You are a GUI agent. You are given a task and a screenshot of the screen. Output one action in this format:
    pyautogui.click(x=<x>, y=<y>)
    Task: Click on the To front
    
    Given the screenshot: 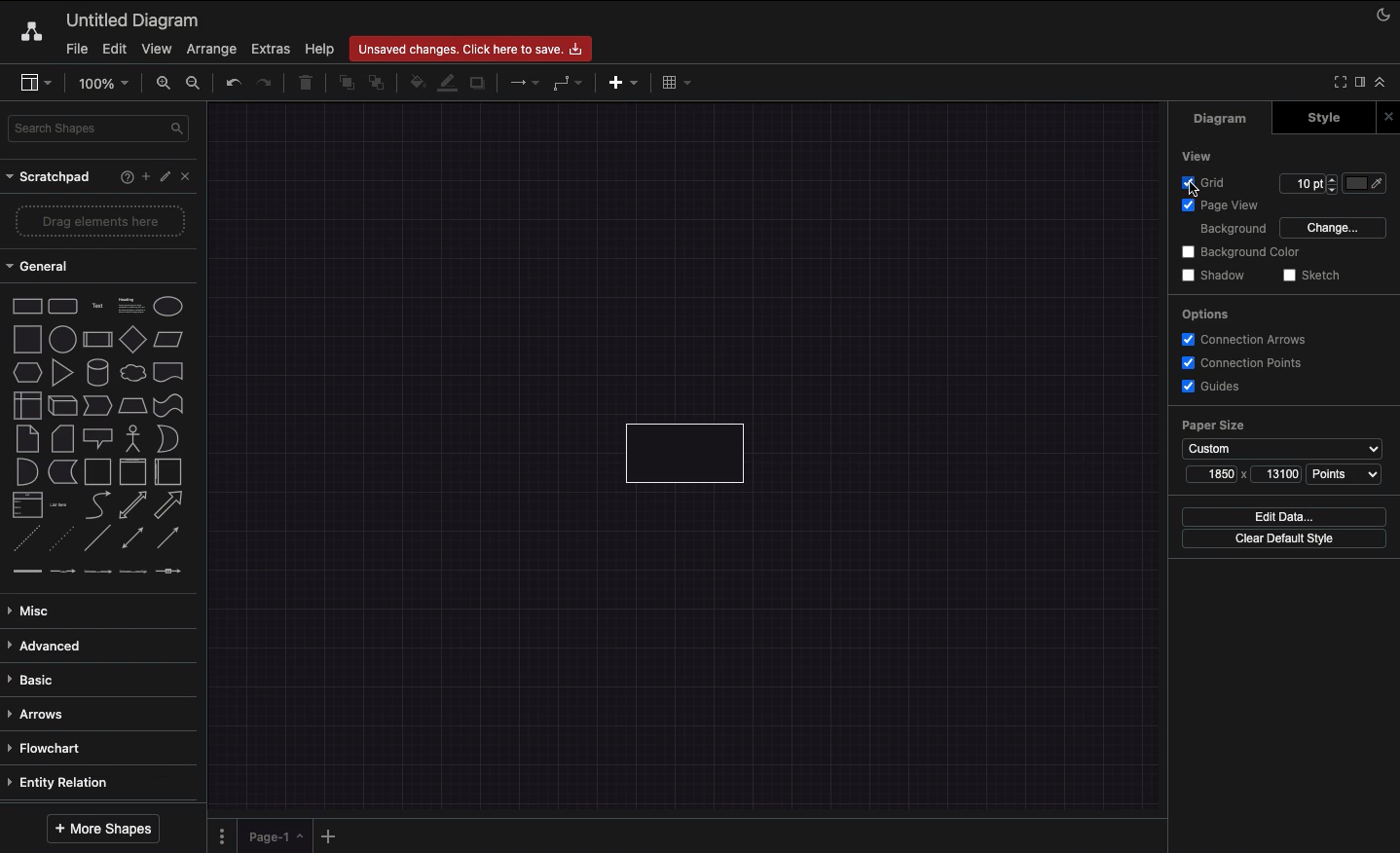 What is the action you would take?
    pyautogui.click(x=343, y=86)
    